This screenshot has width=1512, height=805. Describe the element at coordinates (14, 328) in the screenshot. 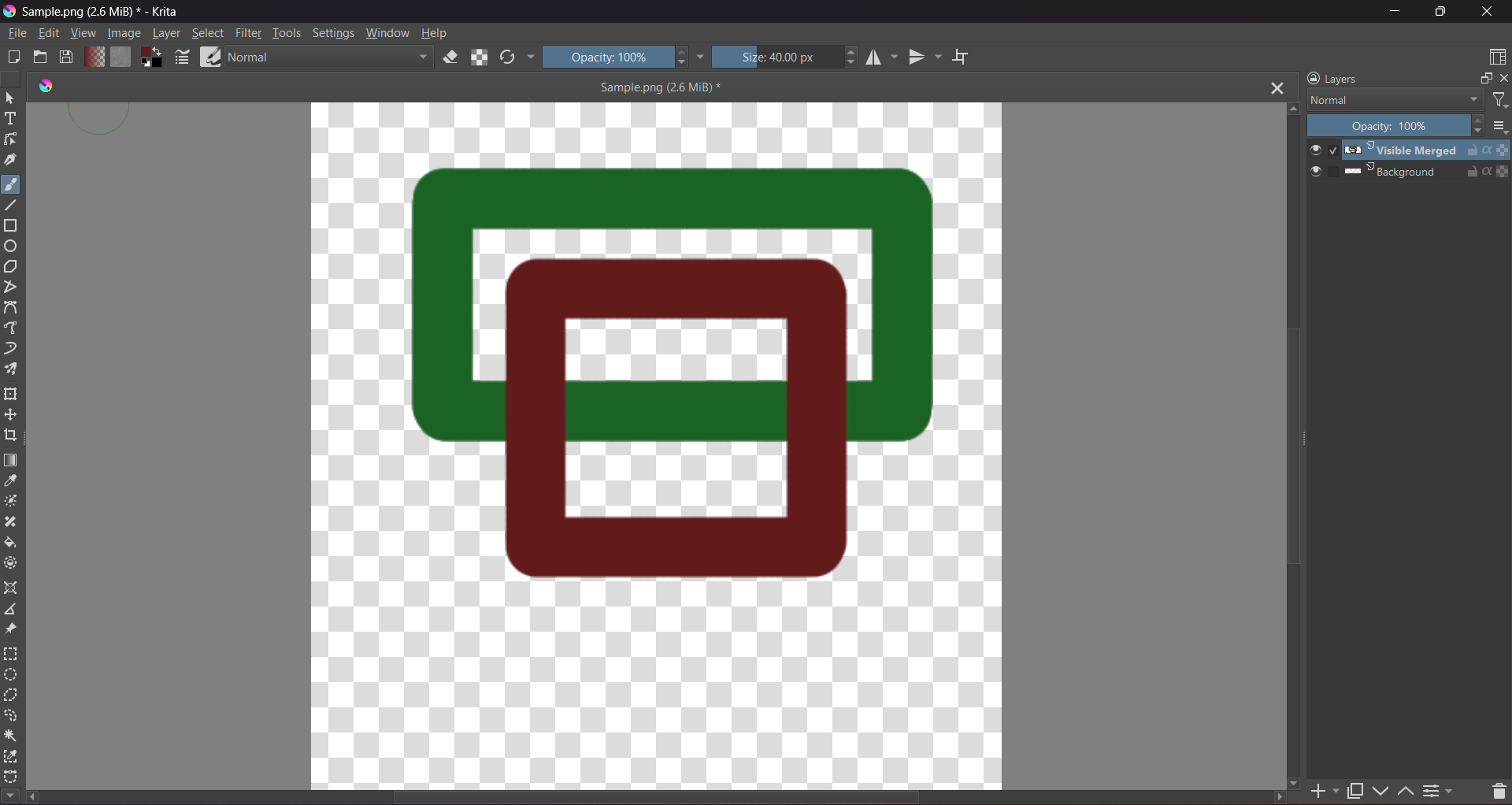

I see `Freehand Path` at that location.